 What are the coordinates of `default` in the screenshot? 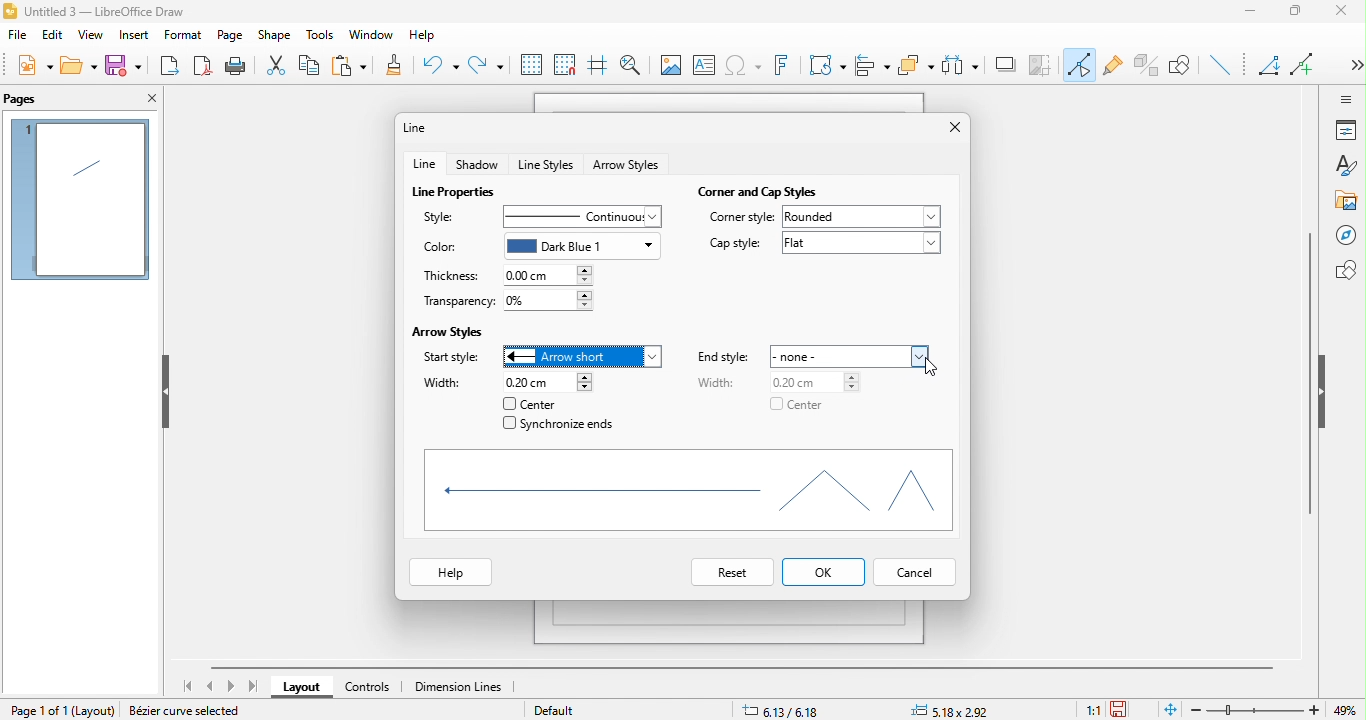 It's located at (578, 711).